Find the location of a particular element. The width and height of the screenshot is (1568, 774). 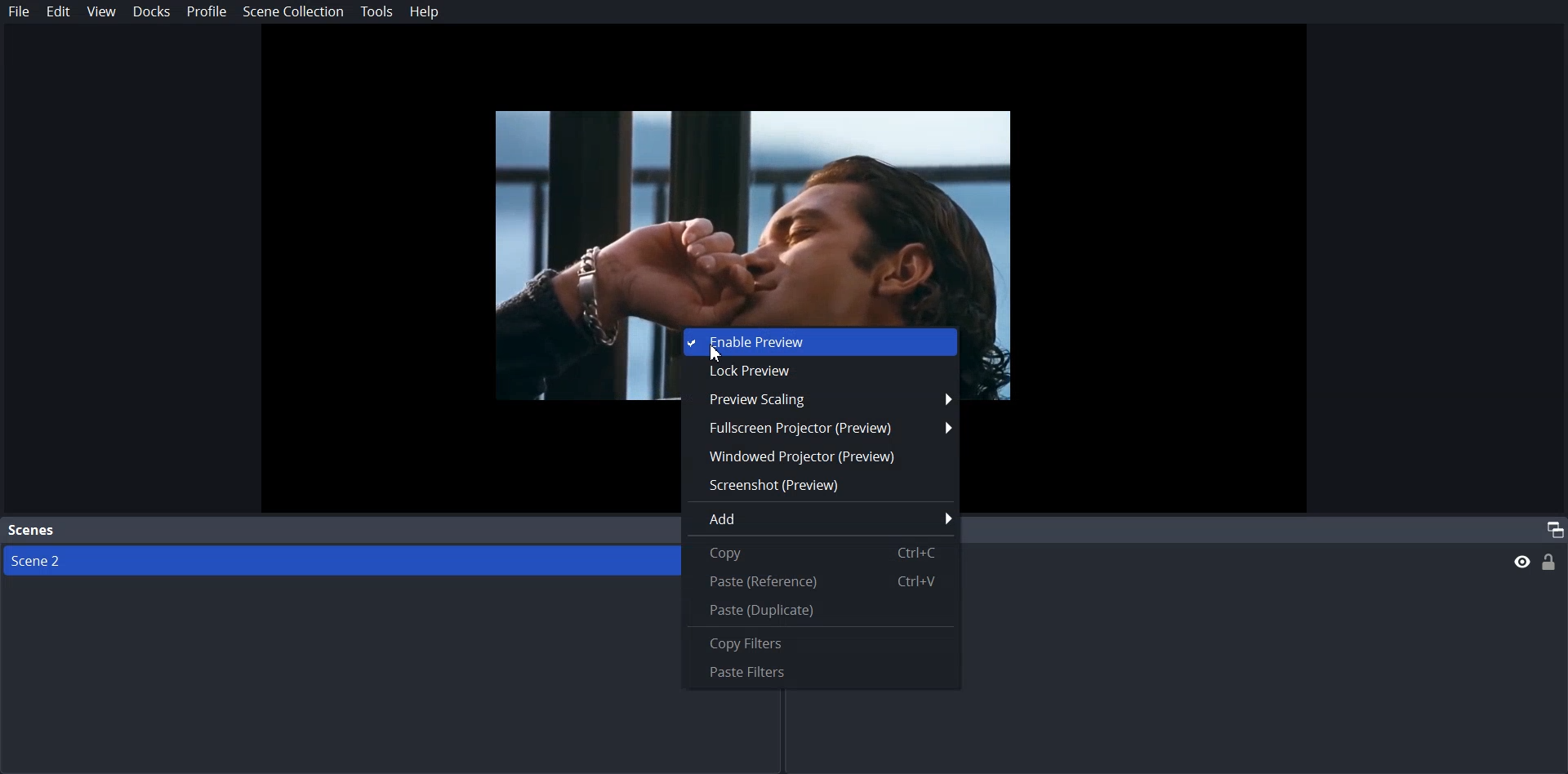

Lock Preview is located at coordinates (818, 373).